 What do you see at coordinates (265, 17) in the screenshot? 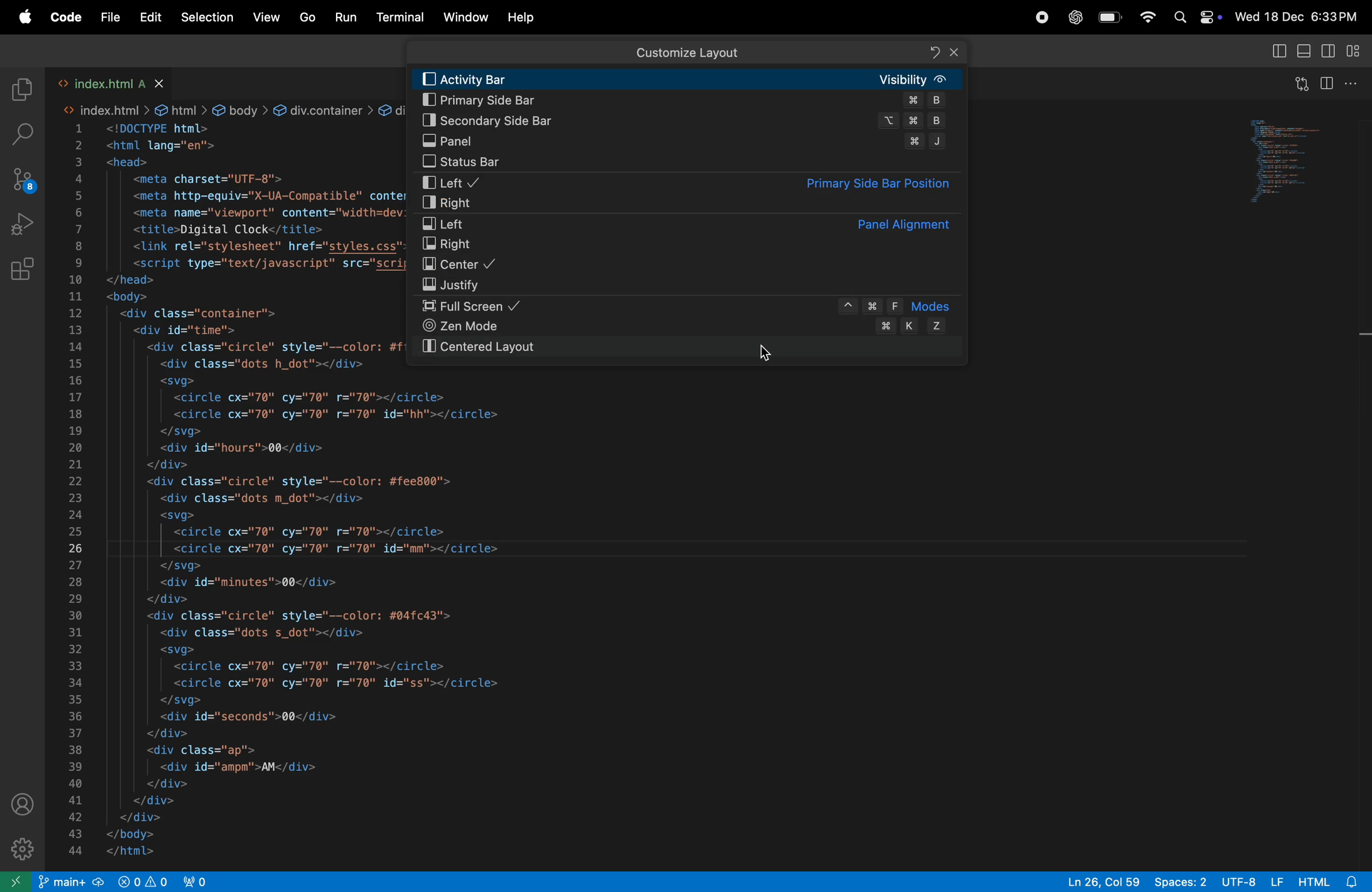
I see `view` at bounding box center [265, 17].